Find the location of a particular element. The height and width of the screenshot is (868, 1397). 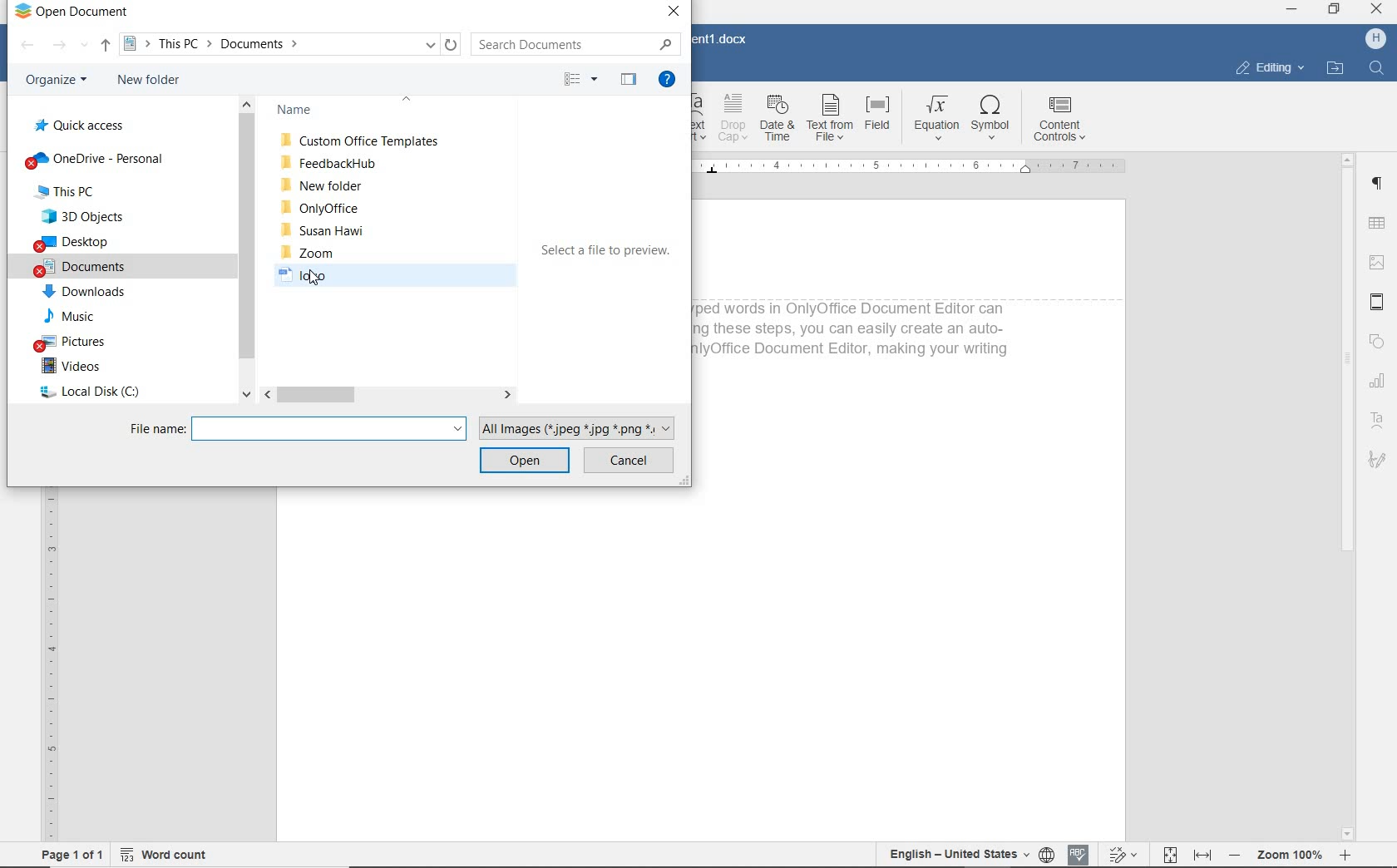

FORWARD is located at coordinates (69, 45).